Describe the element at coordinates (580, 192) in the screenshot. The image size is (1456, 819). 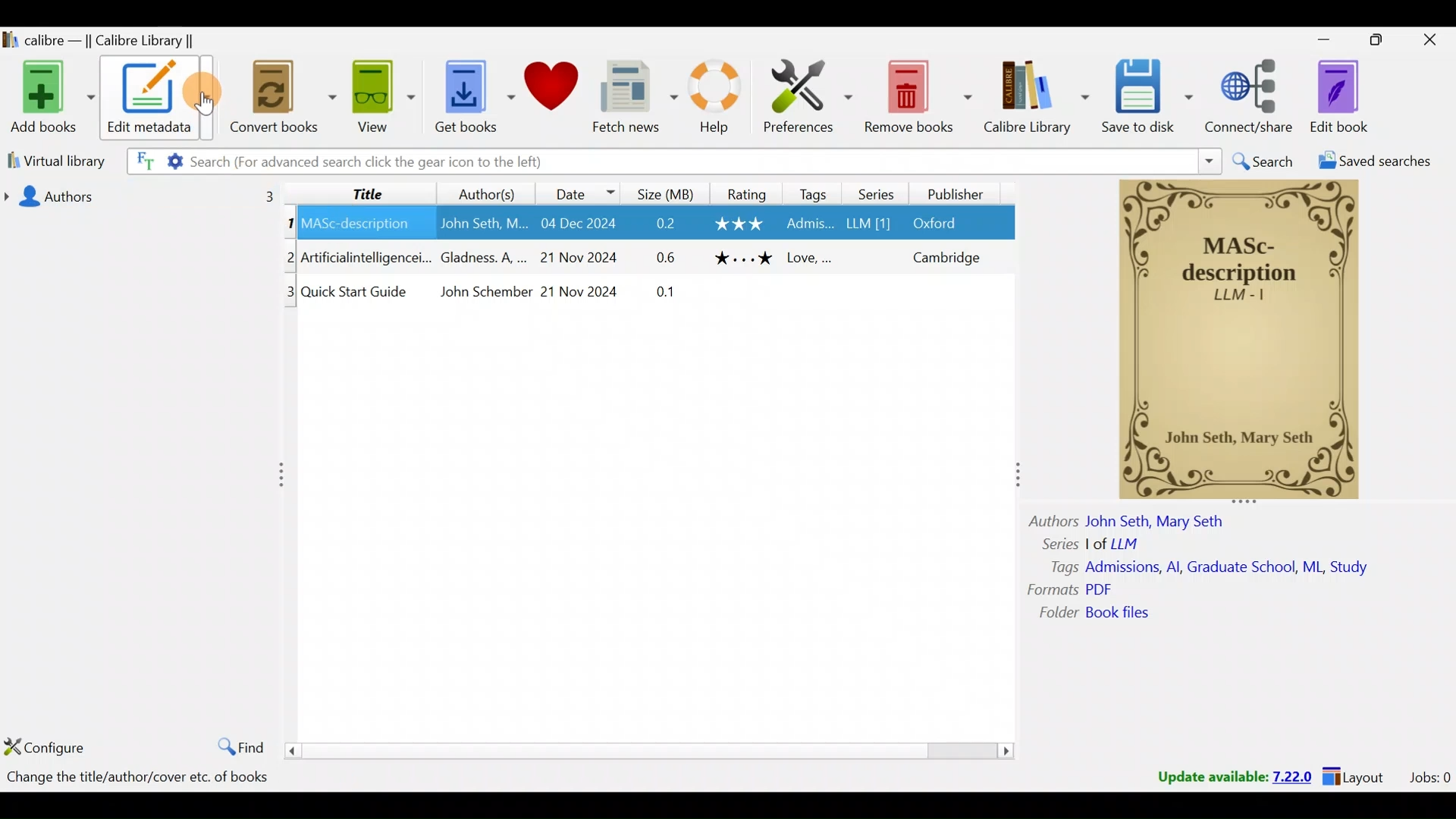
I see `Date` at that location.